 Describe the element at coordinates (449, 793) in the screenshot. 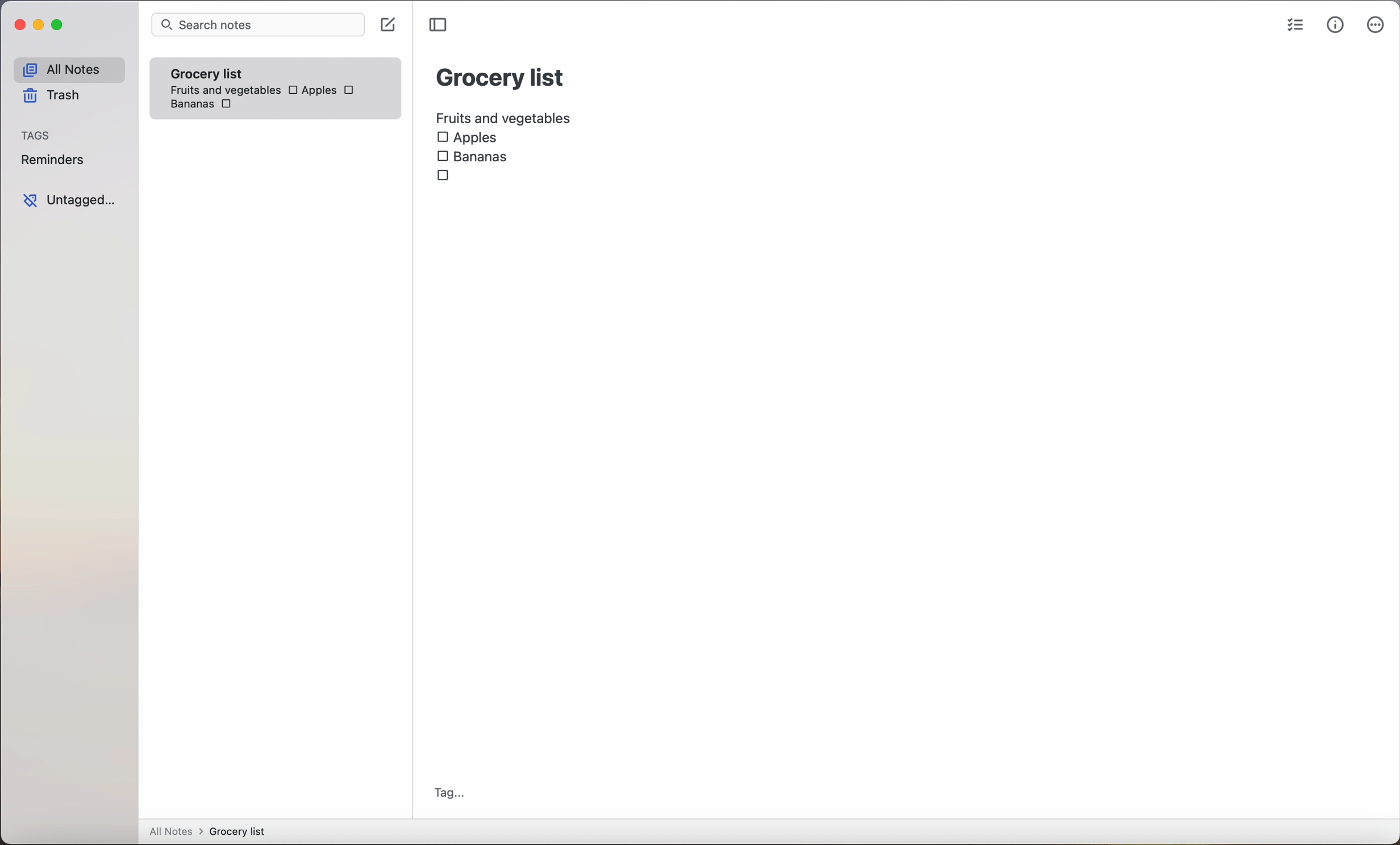

I see `tag` at that location.